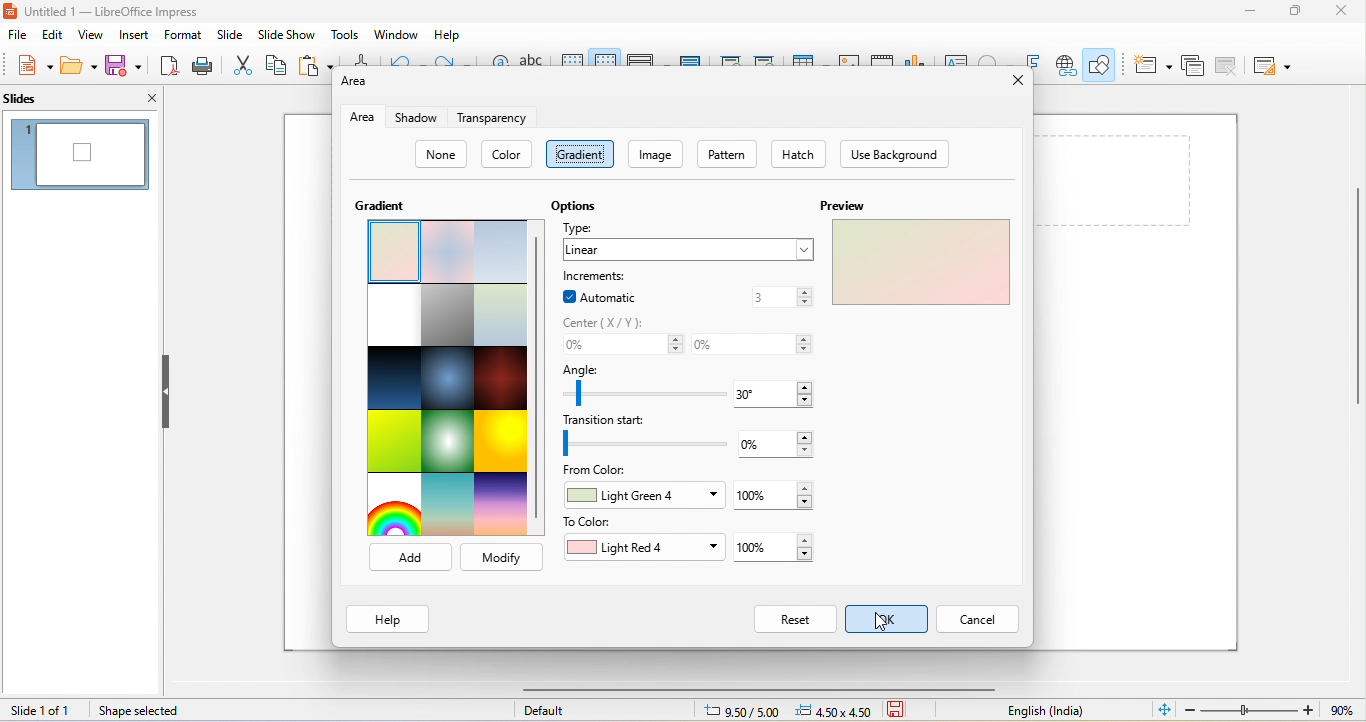 The width and height of the screenshot is (1366, 722). Describe the element at coordinates (886, 615) in the screenshot. I see `ok` at that location.